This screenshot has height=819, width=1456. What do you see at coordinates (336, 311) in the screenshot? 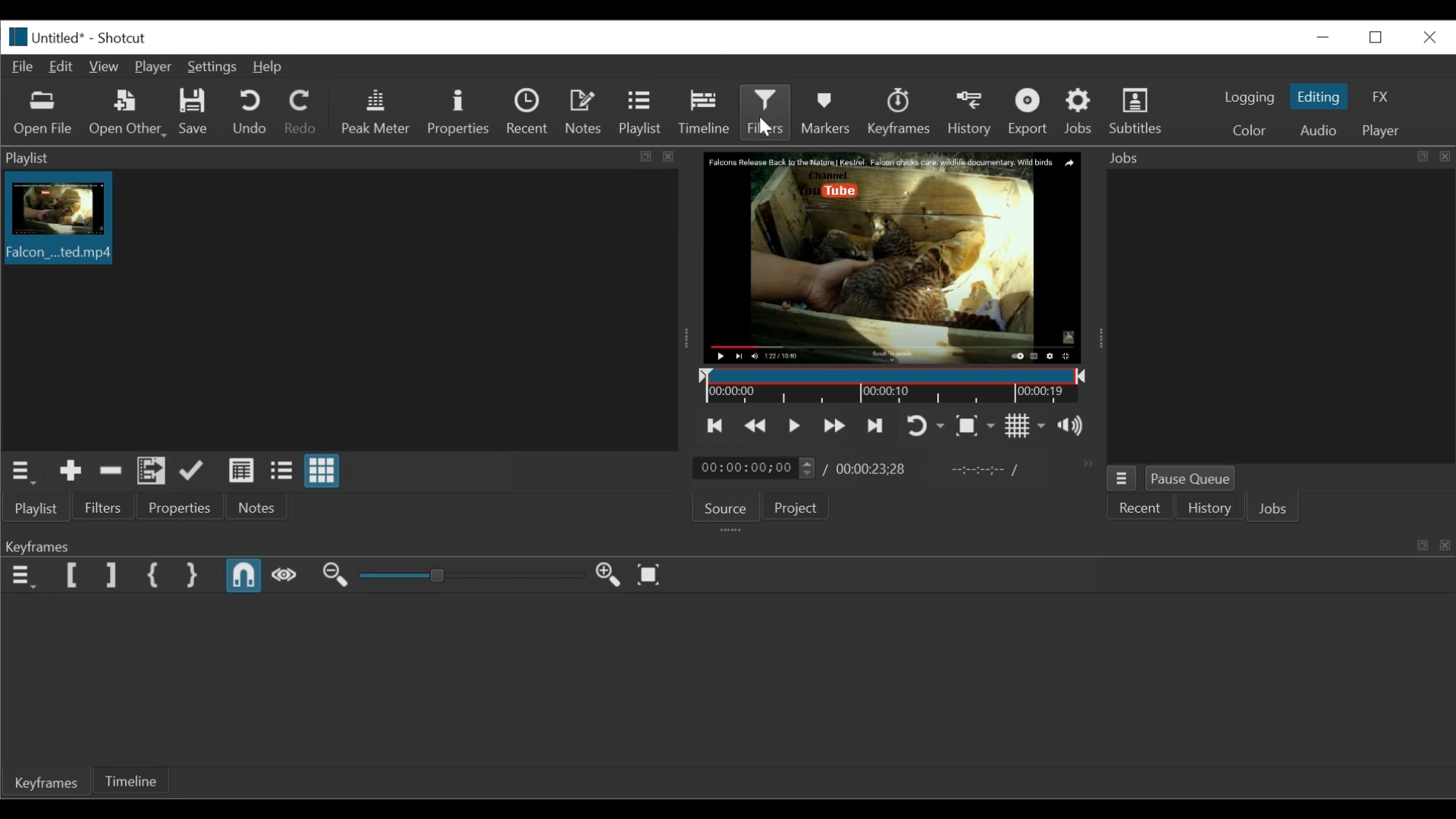
I see `Clip thumbanail` at bounding box center [336, 311].